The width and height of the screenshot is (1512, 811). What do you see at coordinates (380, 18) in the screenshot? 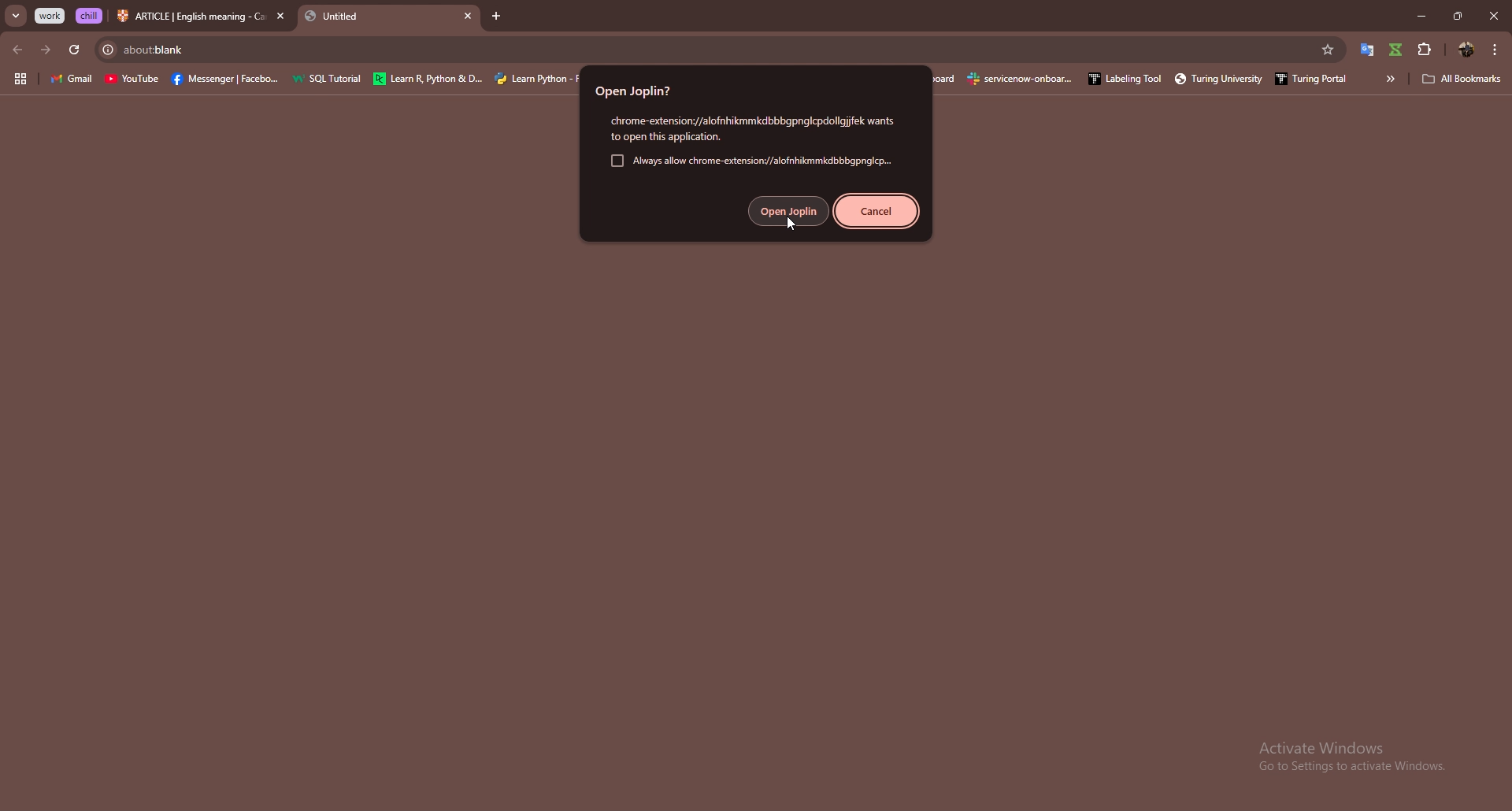
I see `untitled` at bounding box center [380, 18].